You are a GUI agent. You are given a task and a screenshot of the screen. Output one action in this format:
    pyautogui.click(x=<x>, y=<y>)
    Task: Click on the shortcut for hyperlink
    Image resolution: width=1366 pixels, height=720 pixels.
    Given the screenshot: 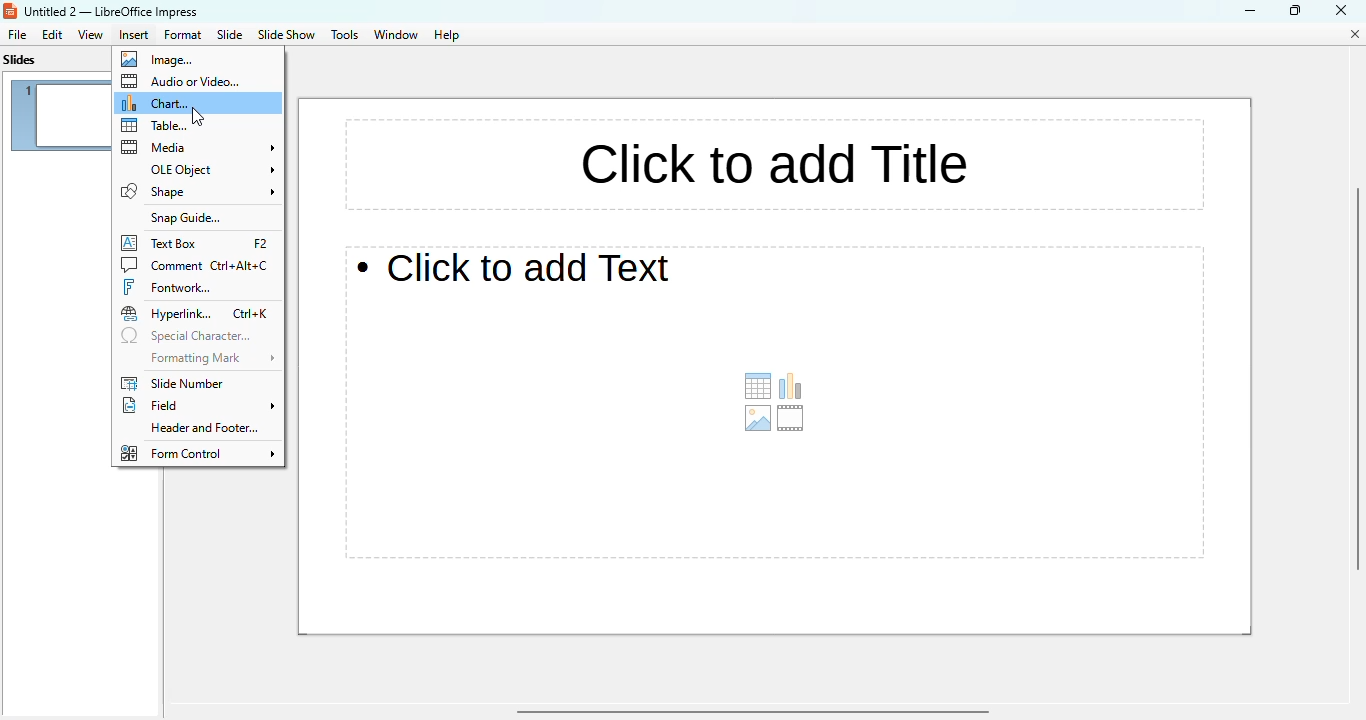 What is the action you would take?
    pyautogui.click(x=252, y=313)
    